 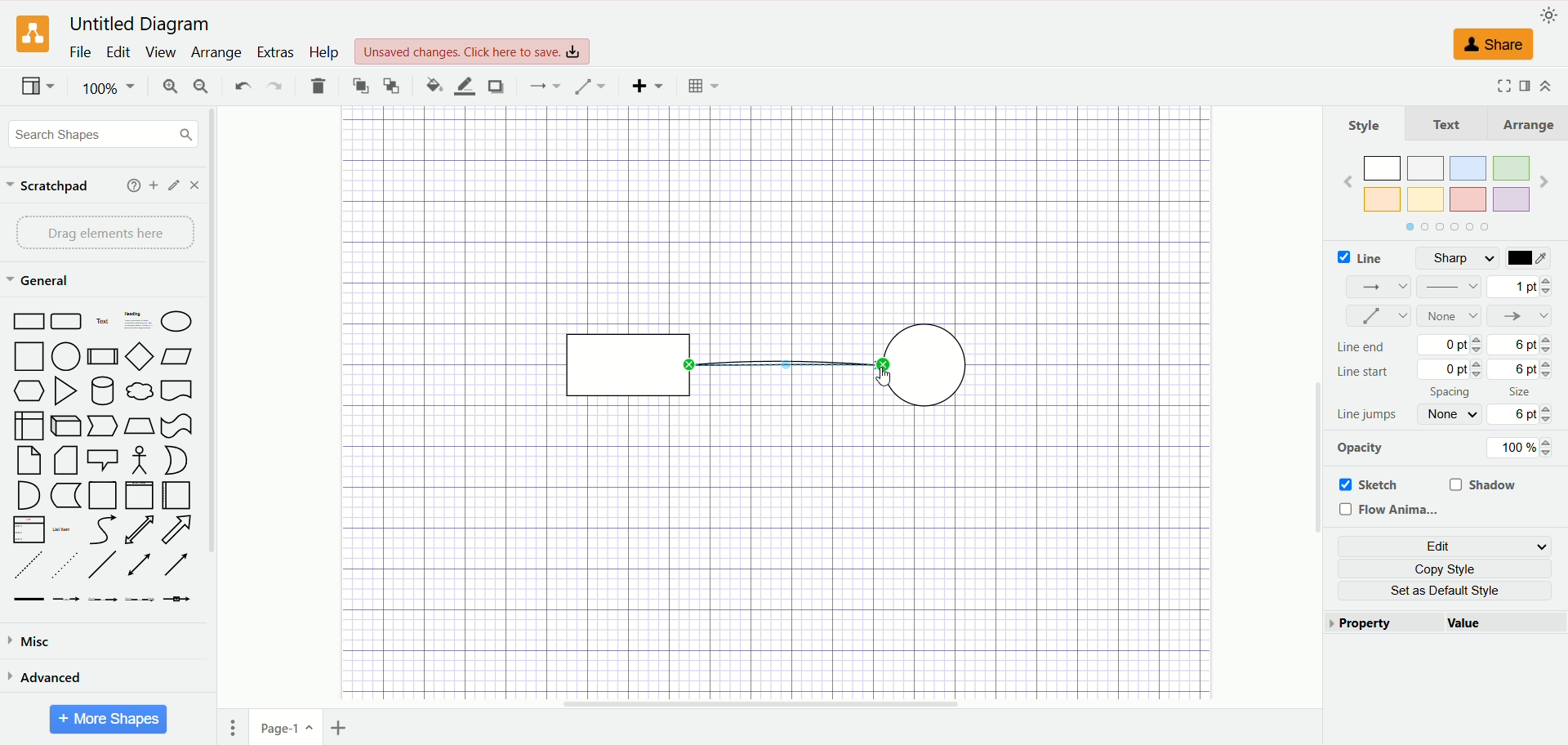 I want to click on insert, so click(x=648, y=87).